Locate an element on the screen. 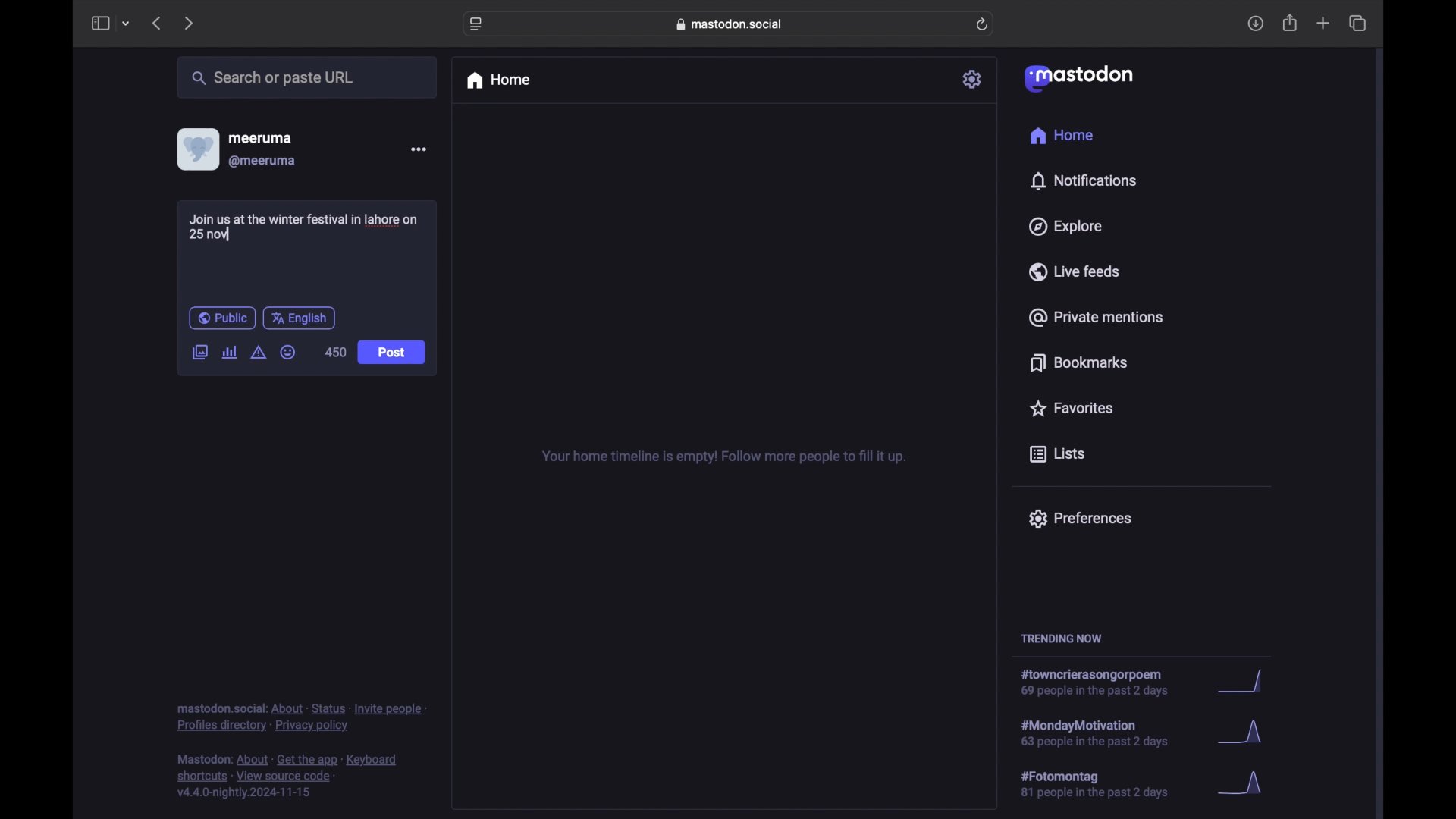 The image size is (1456, 819). meeruma is located at coordinates (260, 137).